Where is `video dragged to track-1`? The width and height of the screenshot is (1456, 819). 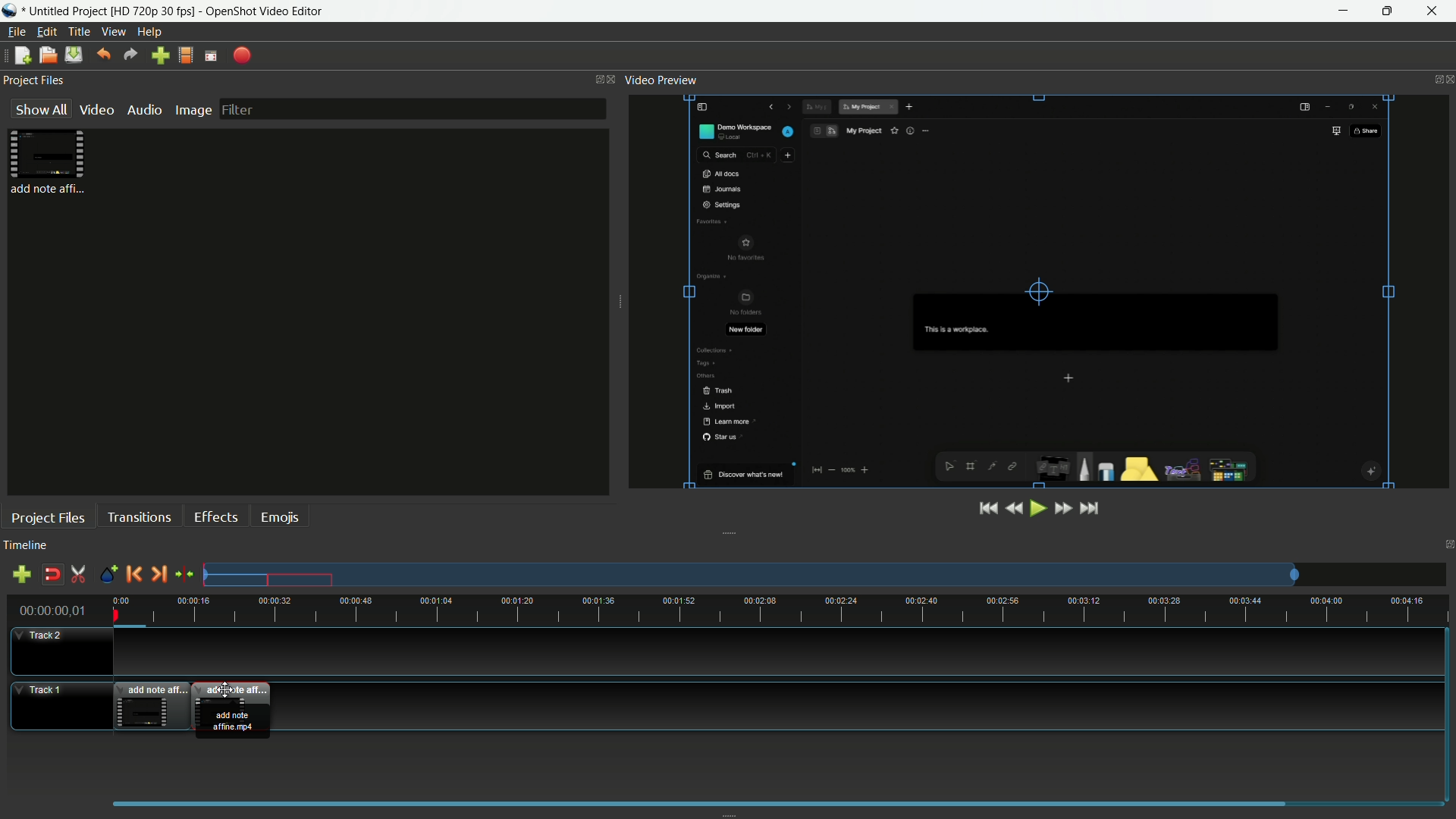
video dragged to track-1 is located at coordinates (233, 709).